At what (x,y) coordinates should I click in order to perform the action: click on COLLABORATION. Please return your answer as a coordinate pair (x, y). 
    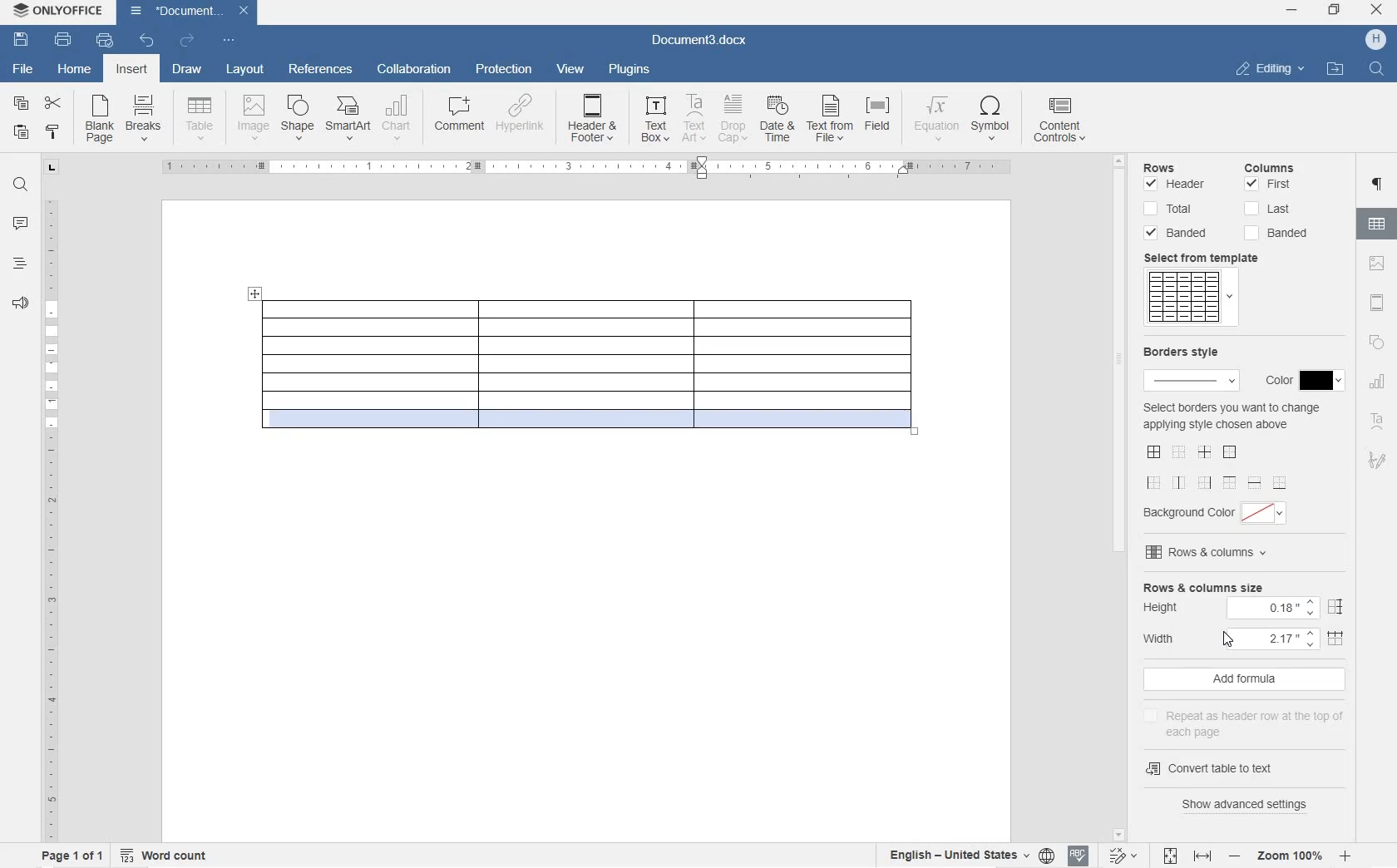
    Looking at the image, I should click on (415, 70).